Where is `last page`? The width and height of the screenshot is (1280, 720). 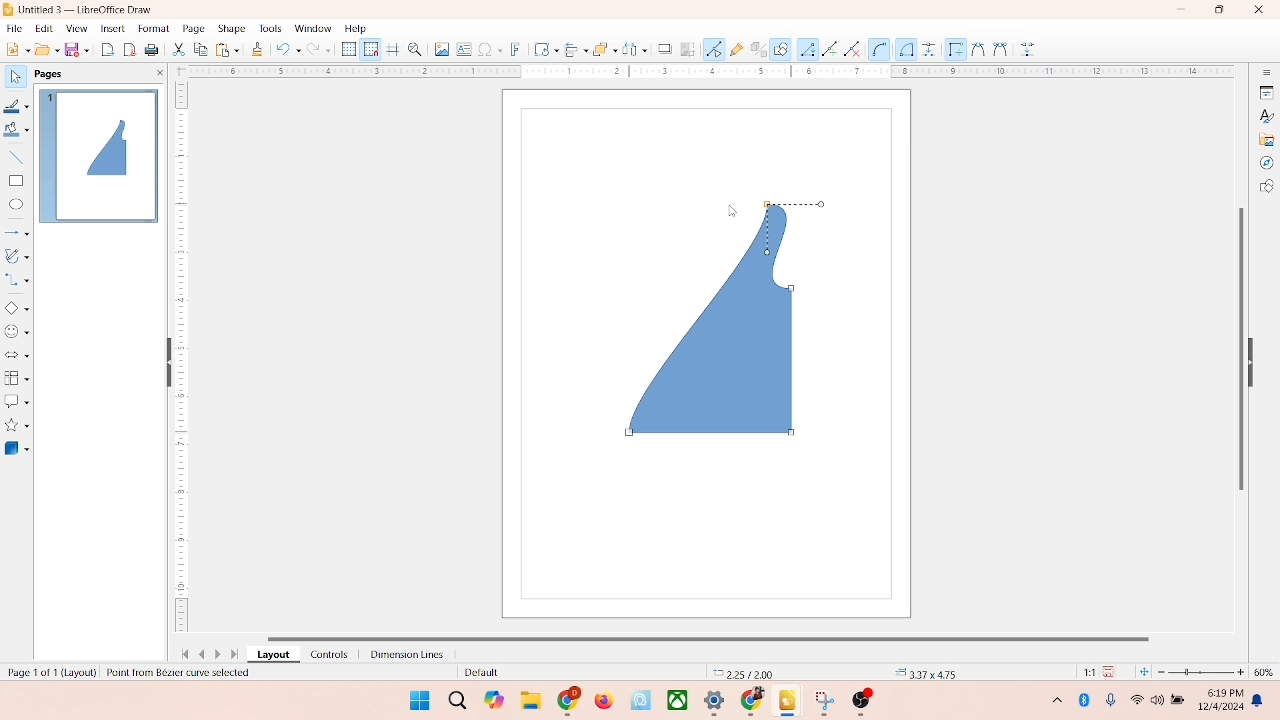 last page is located at coordinates (236, 655).